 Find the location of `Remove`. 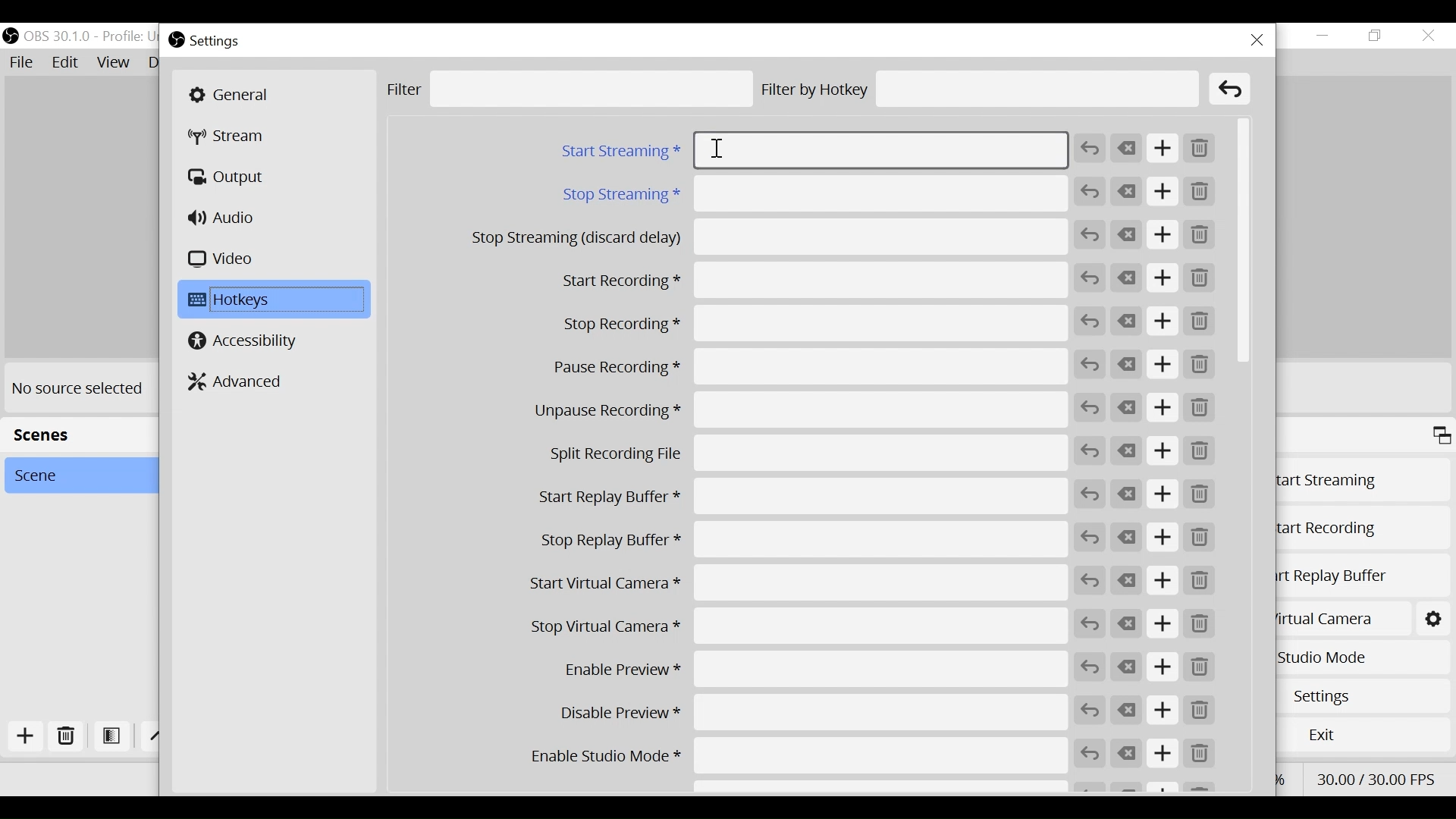

Remove is located at coordinates (1200, 711).